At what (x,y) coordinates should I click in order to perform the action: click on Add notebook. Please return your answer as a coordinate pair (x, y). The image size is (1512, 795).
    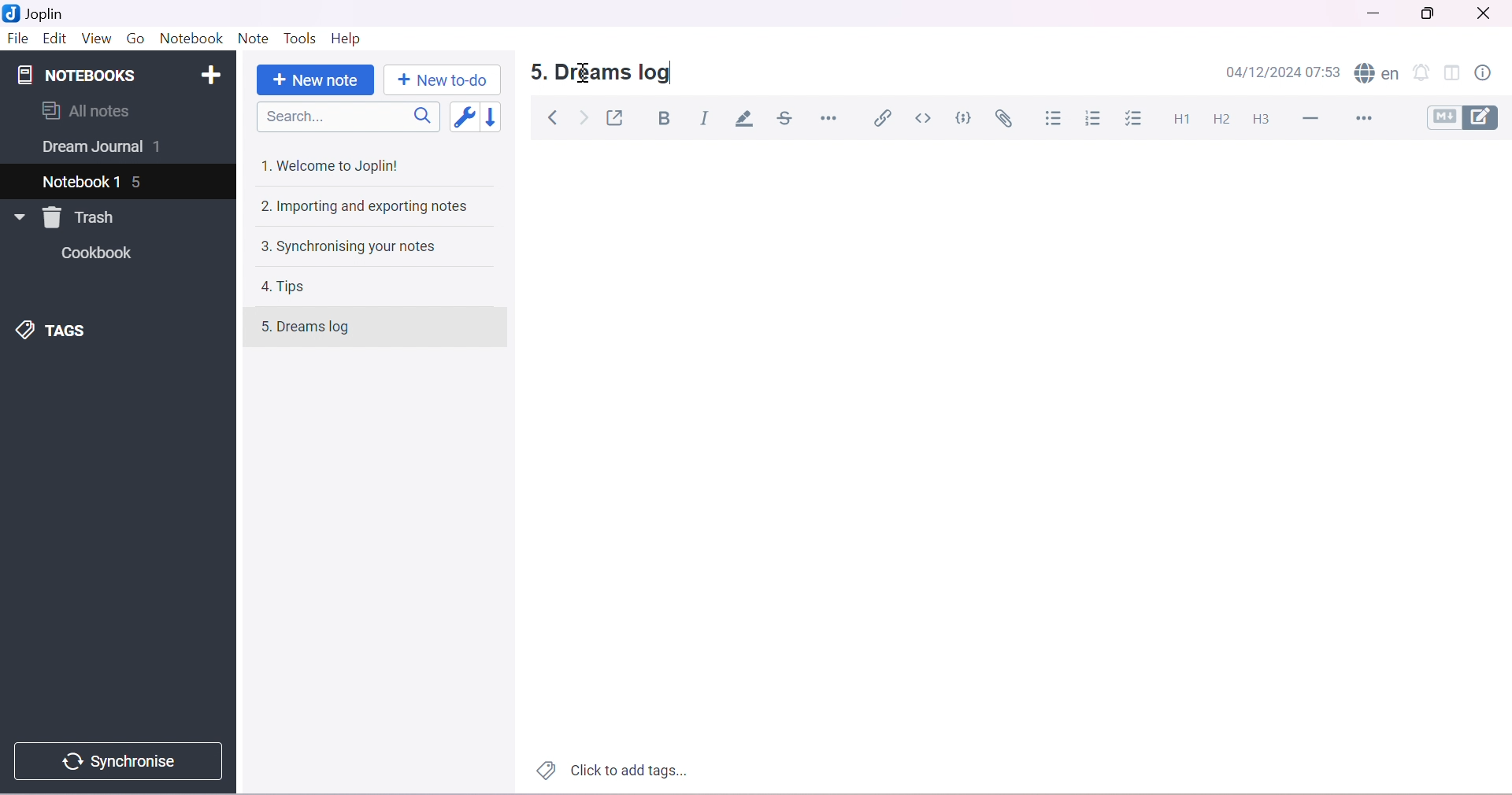
    Looking at the image, I should click on (215, 72).